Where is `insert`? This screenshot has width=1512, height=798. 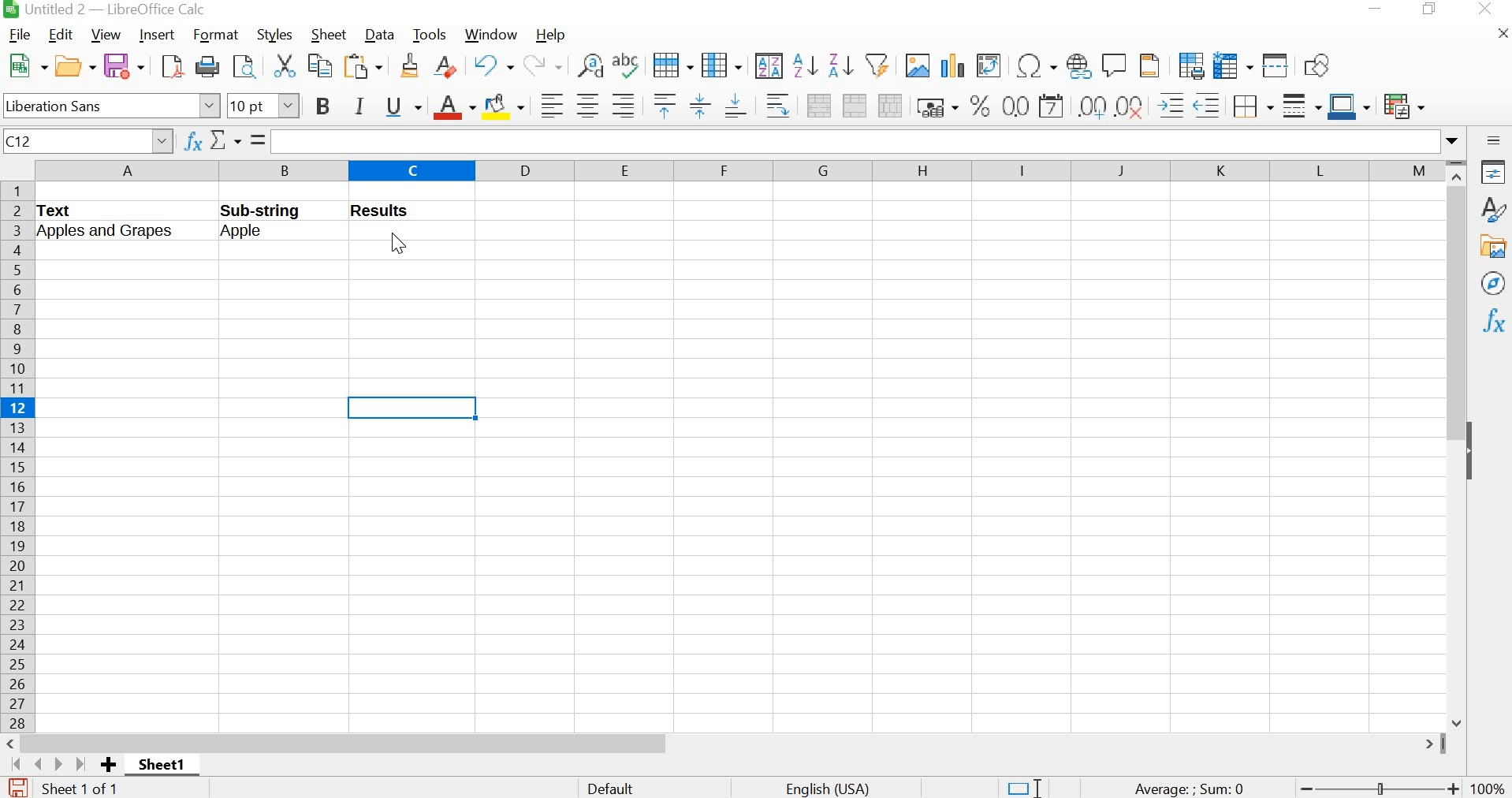
insert is located at coordinates (158, 35).